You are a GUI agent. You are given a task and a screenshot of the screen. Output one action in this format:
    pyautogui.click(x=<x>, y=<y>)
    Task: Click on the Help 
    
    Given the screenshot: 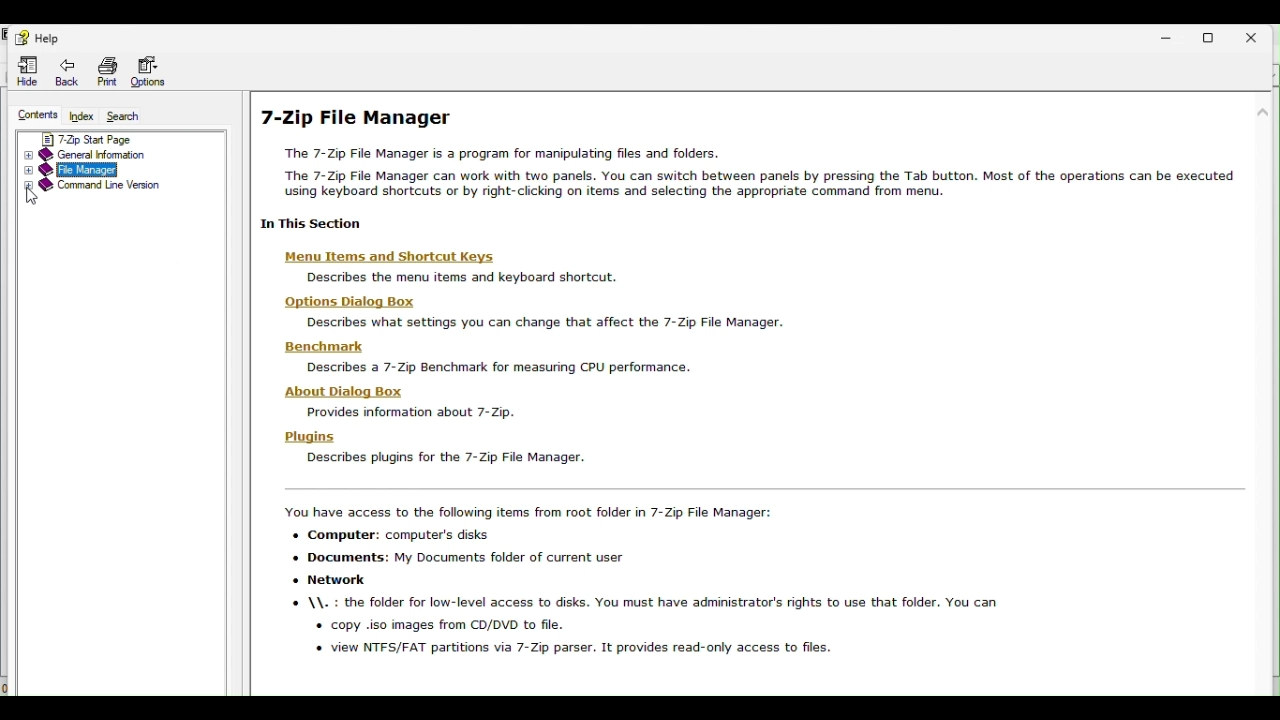 What is the action you would take?
    pyautogui.click(x=36, y=36)
    